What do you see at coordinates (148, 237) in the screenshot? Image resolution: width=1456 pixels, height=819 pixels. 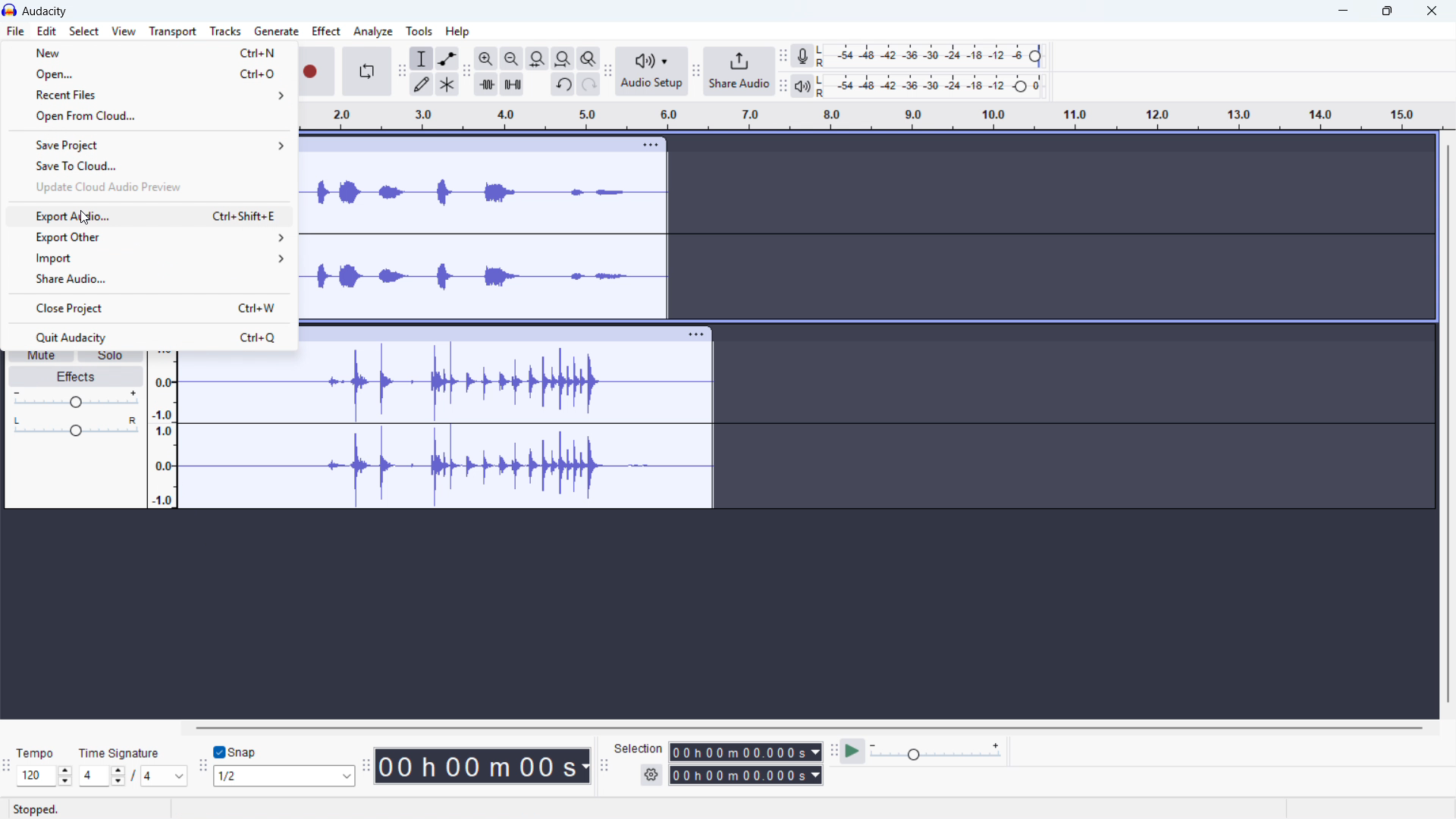 I see `Export other ` at bounding box center [148, 237].